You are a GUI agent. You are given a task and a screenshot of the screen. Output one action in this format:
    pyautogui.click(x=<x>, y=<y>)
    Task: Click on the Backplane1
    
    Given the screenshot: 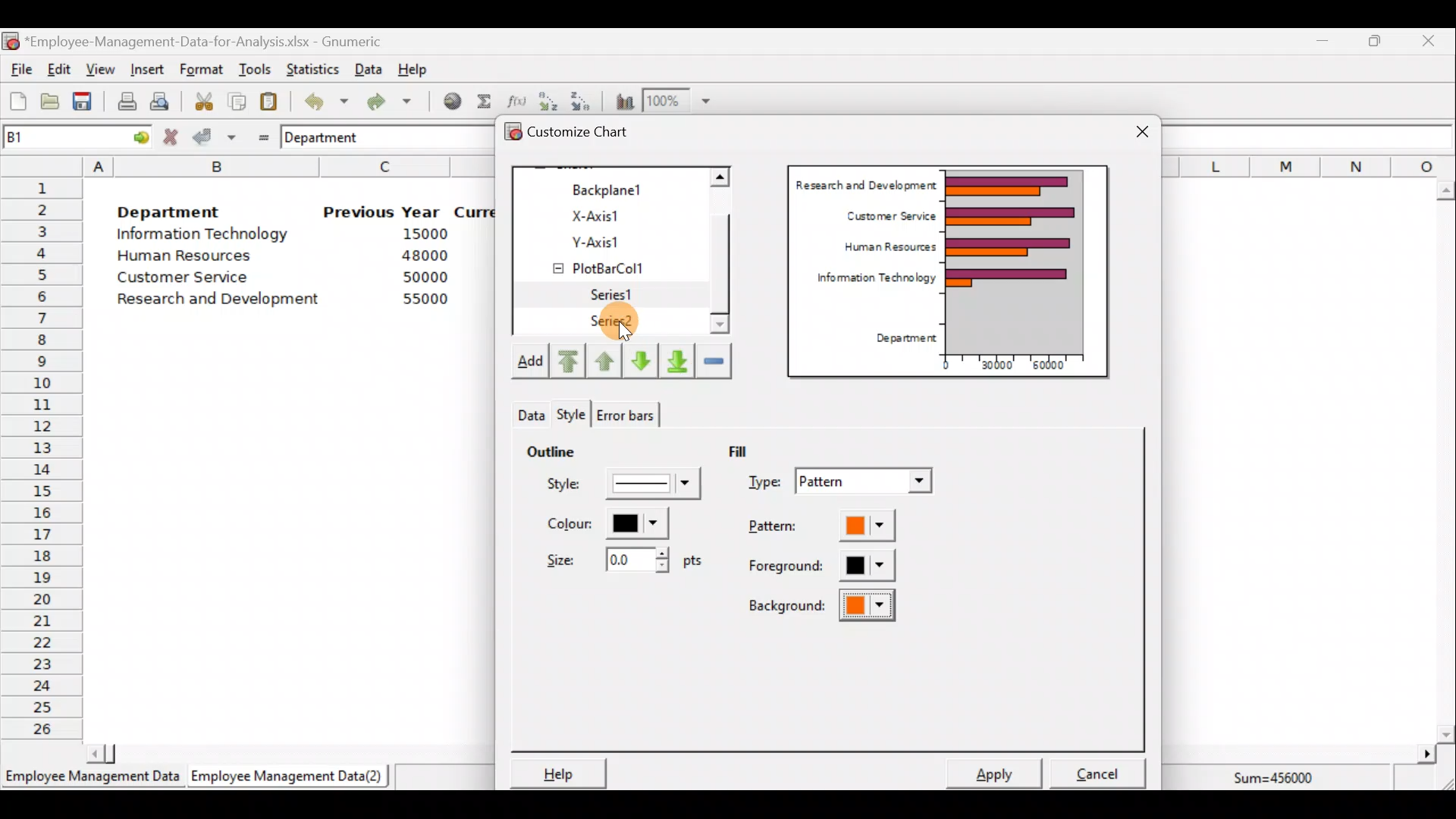 What is the action you would take?
    pyautogui.click(x=613, y=188)
    